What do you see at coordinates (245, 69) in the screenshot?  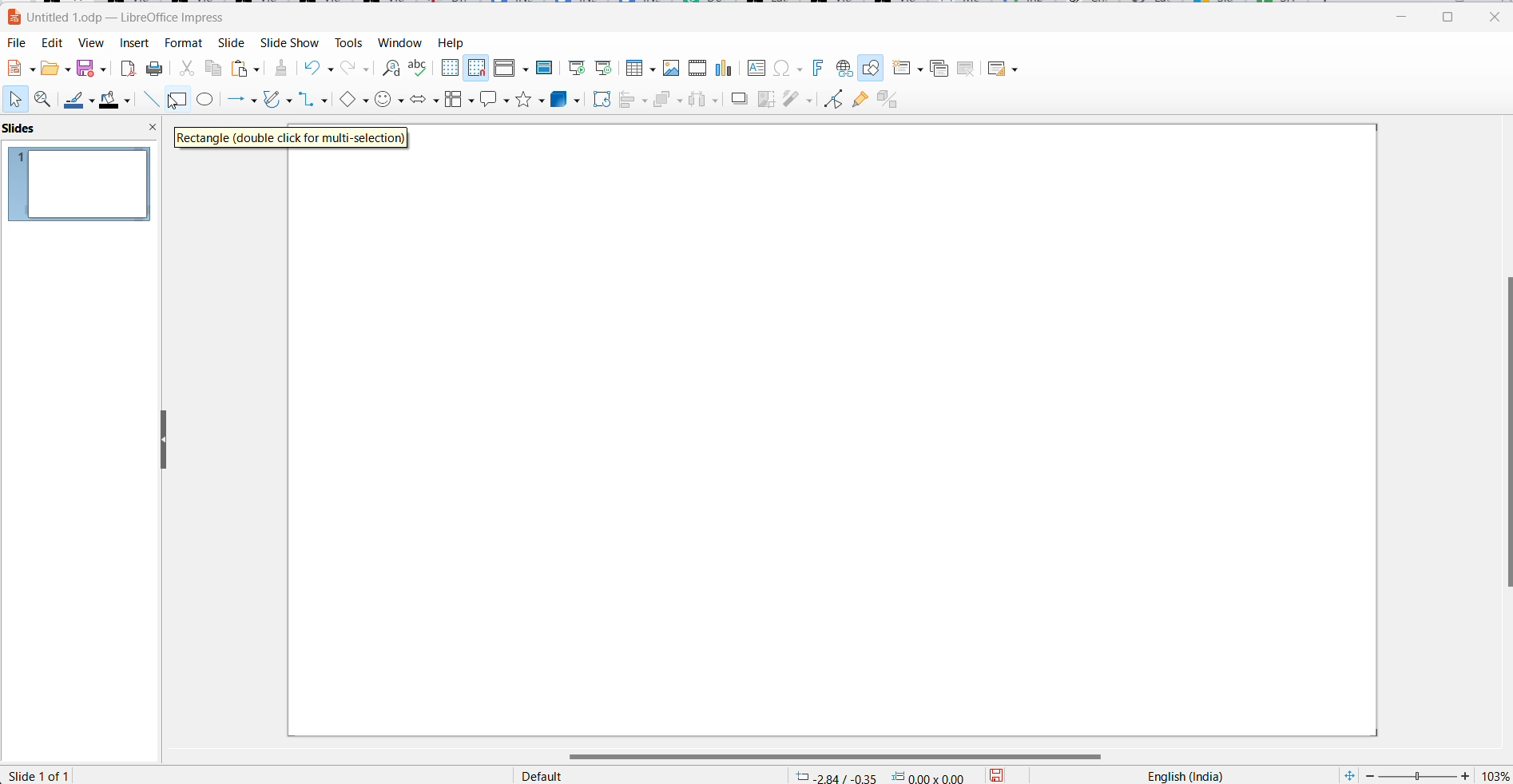 I see `paste options` at bounding box center [245, 69].